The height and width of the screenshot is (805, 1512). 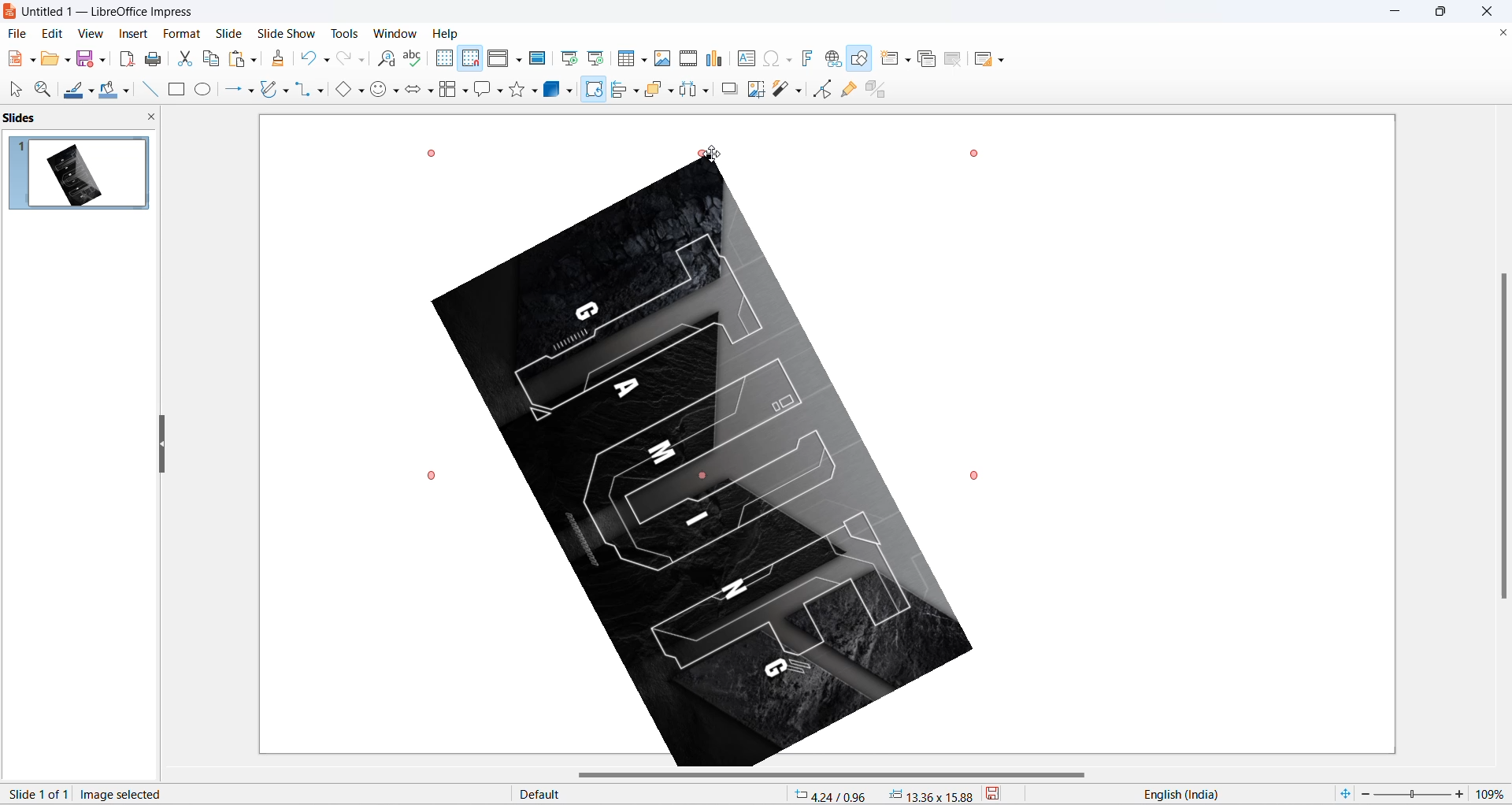 What do you see at coordinates (806, 57) in the screenshot?
I see `insert fontwork text` at bounding box center [806, 57].